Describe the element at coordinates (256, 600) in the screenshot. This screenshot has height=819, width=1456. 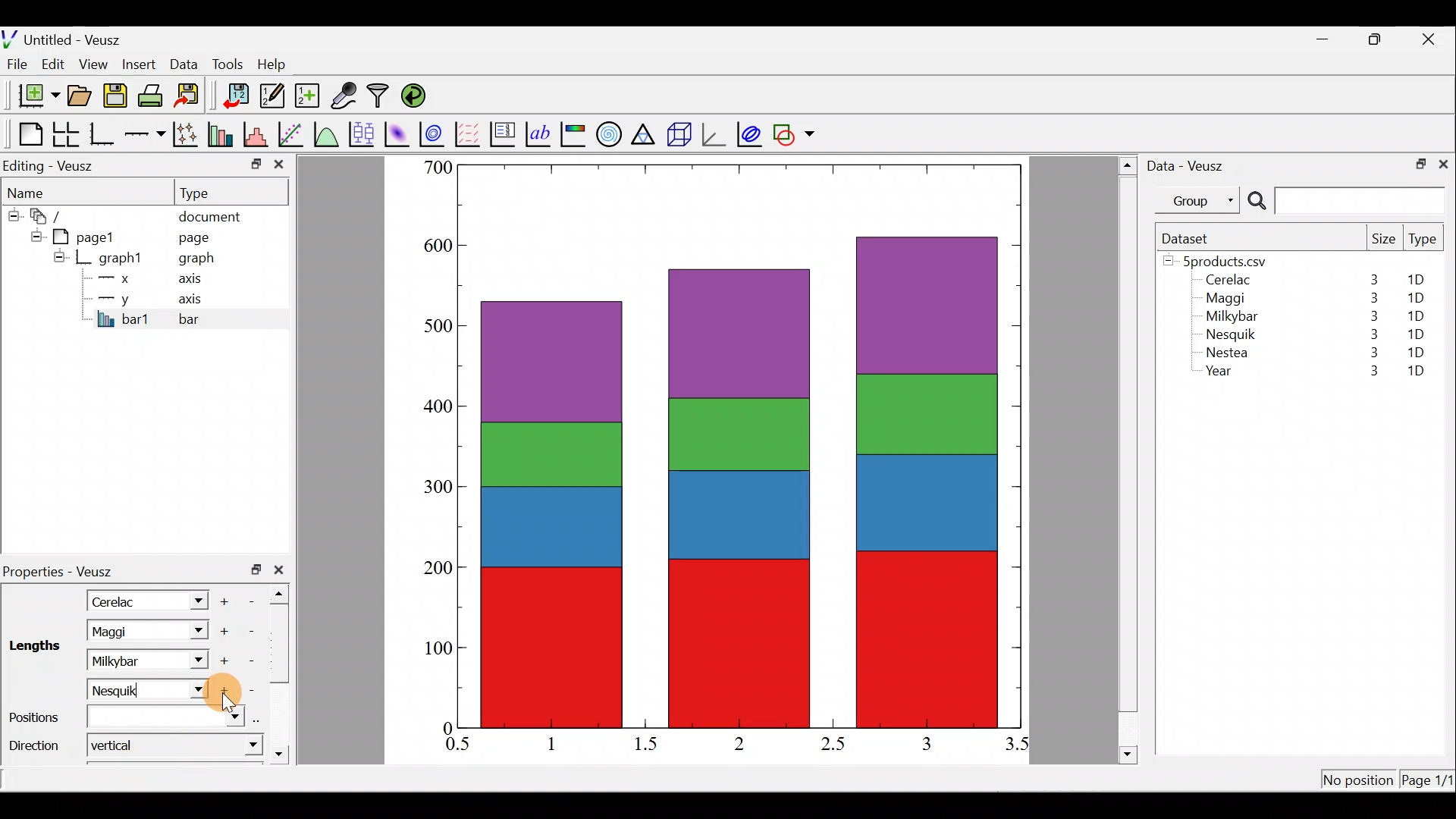
I see `Remove item` at that location.